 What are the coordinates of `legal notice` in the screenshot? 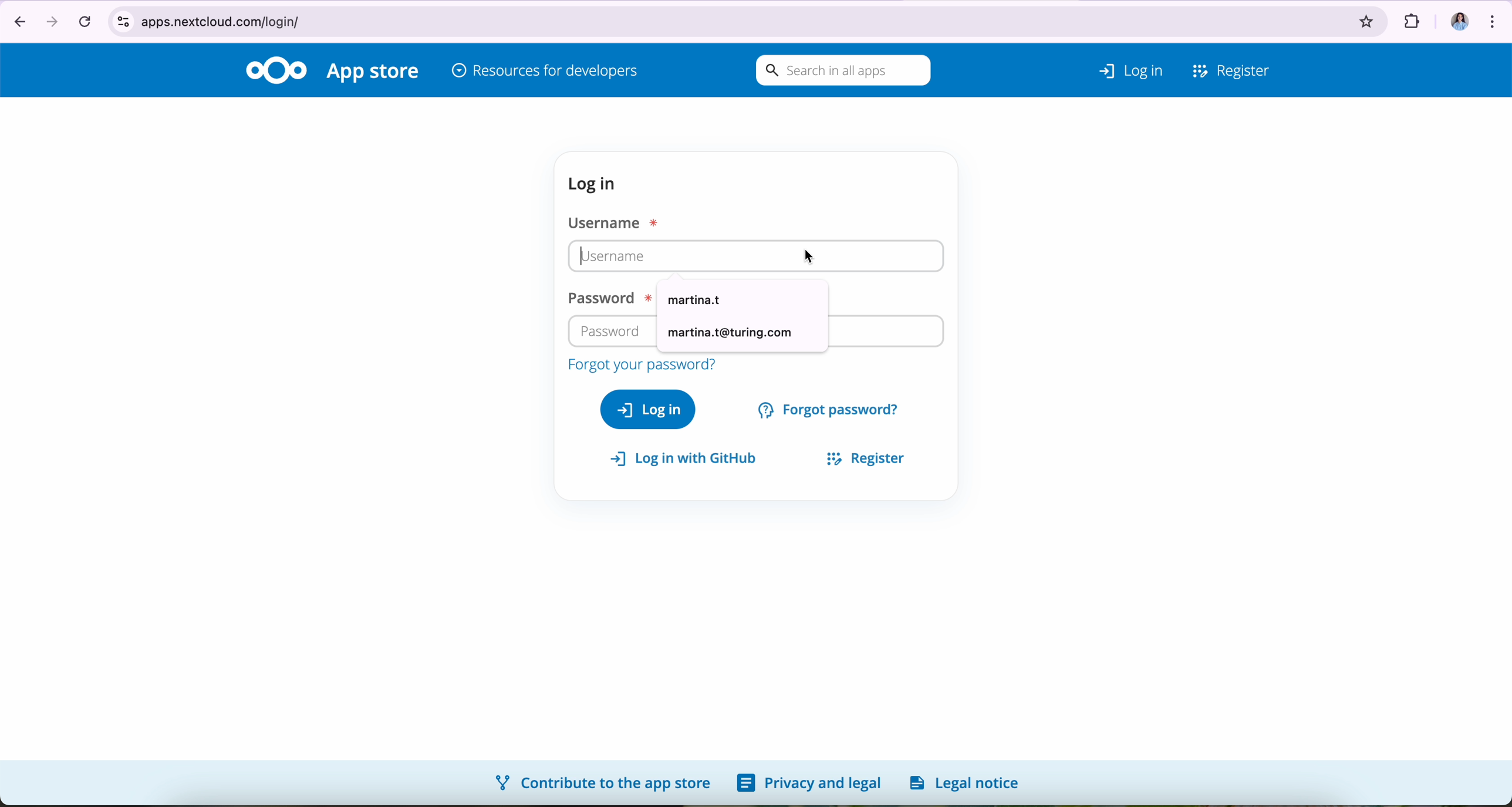 It's located at (968, 782).